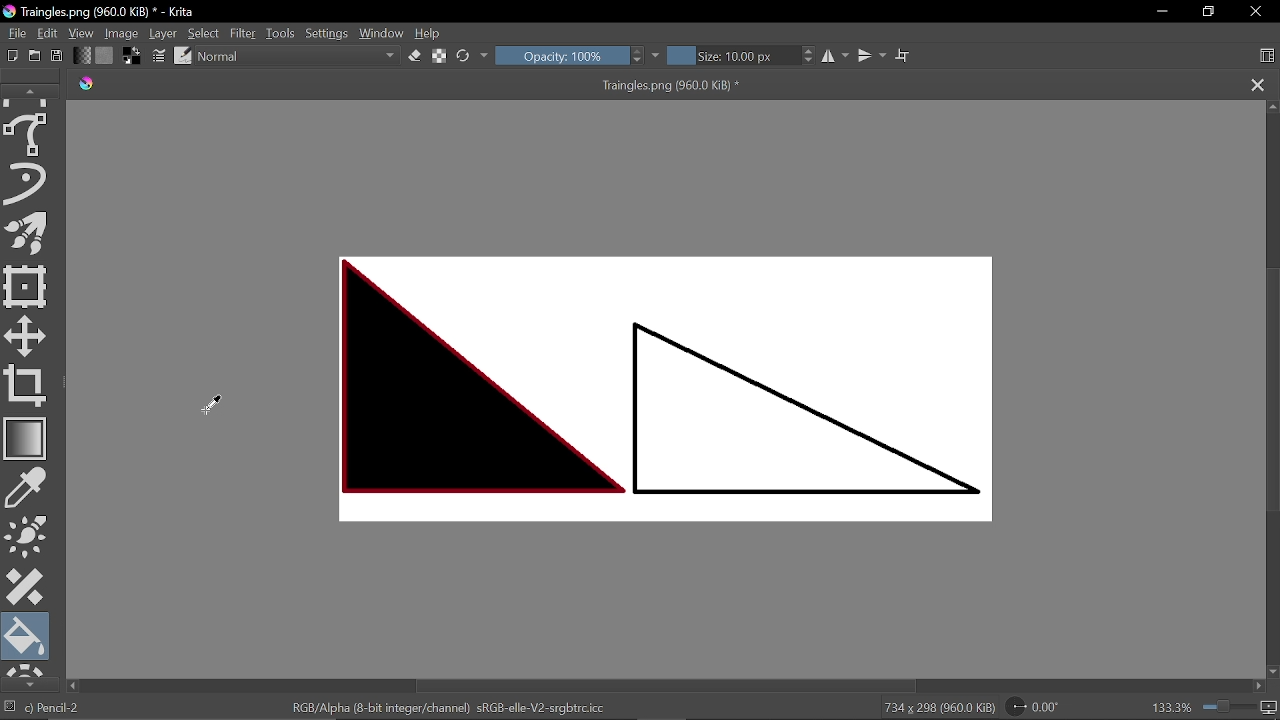 The image size is (1280, 720). Describe the element at coordinates (1032, 707) in the screenshot. I see `0.00` at that location.